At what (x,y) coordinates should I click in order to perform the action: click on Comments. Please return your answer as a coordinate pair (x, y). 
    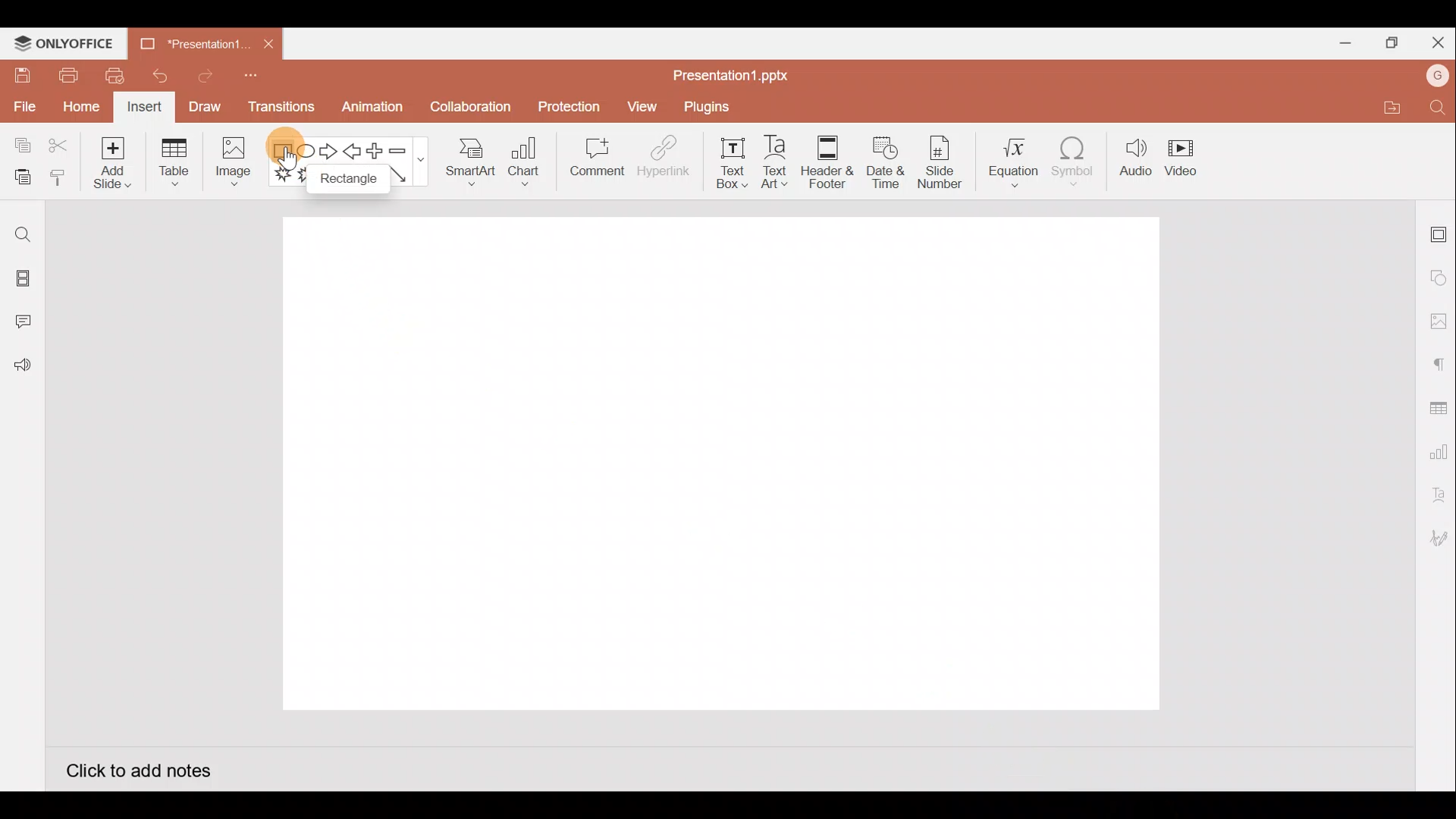
    Looking at the image, I should click on (27, 323).